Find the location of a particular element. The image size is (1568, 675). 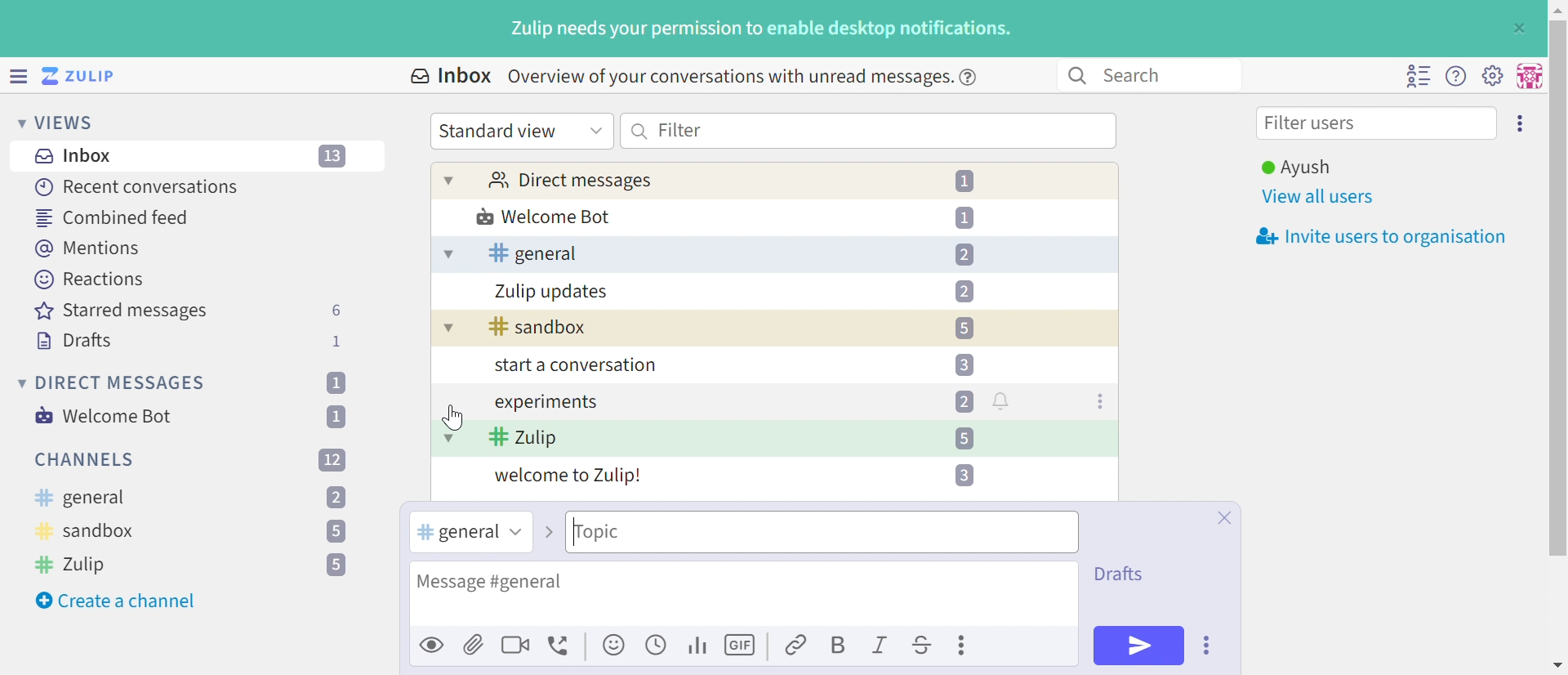

2 is located at coordinates (964, 255).